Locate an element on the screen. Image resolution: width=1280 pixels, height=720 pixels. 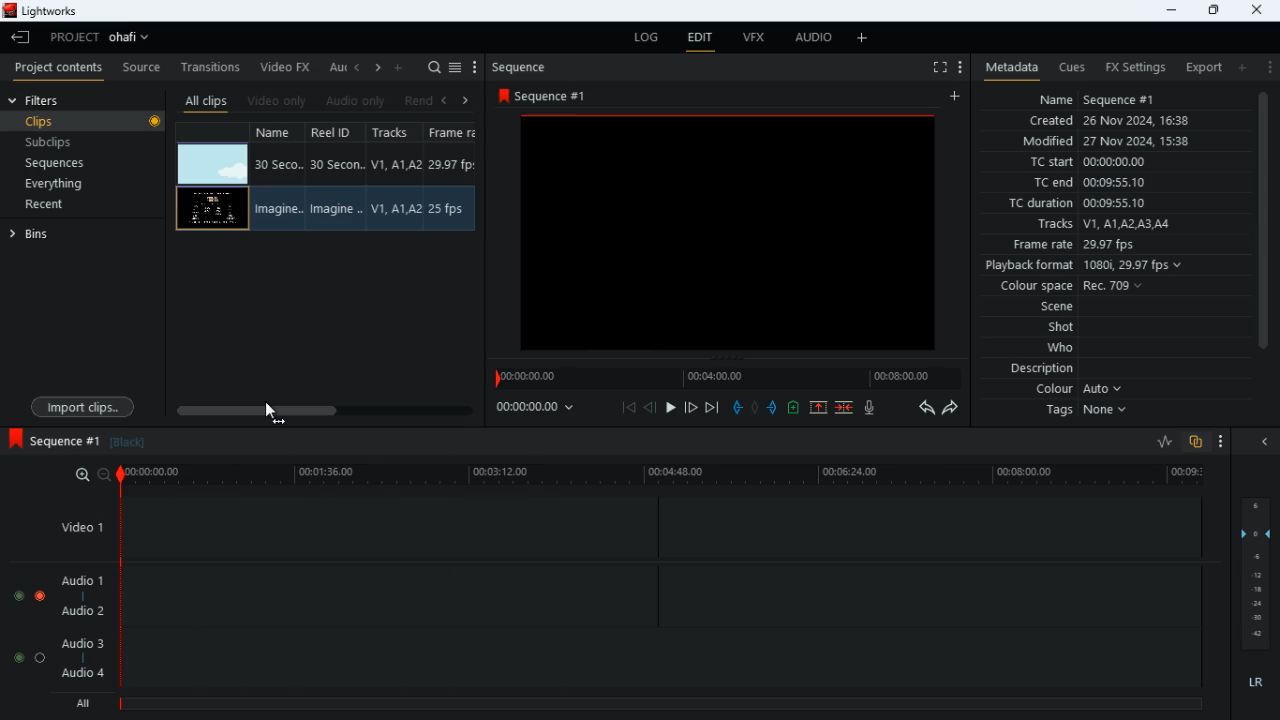
layers is located at coordinates (1254, 573).